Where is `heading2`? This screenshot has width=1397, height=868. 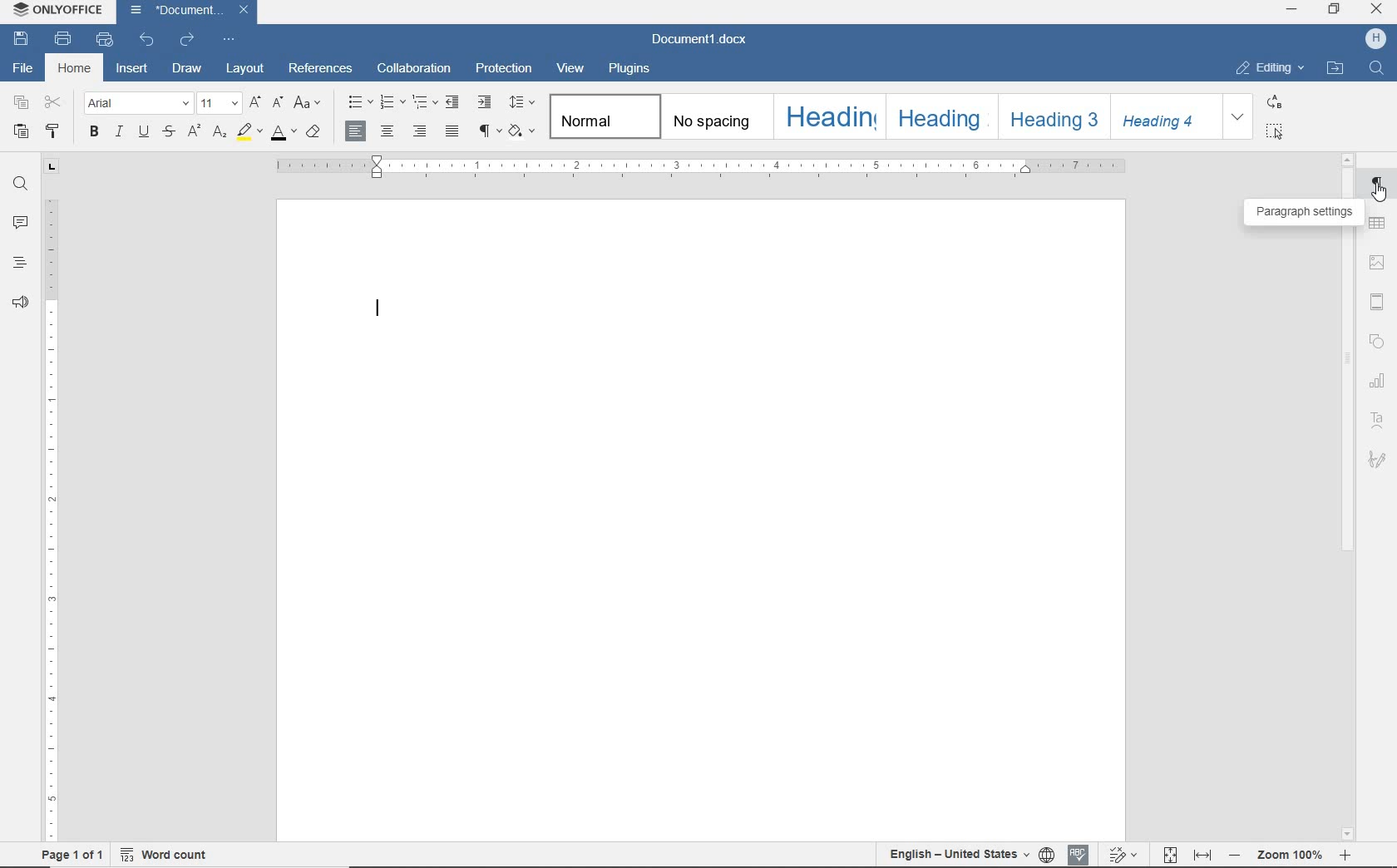
heading2 is located at coordinates (939, 119).